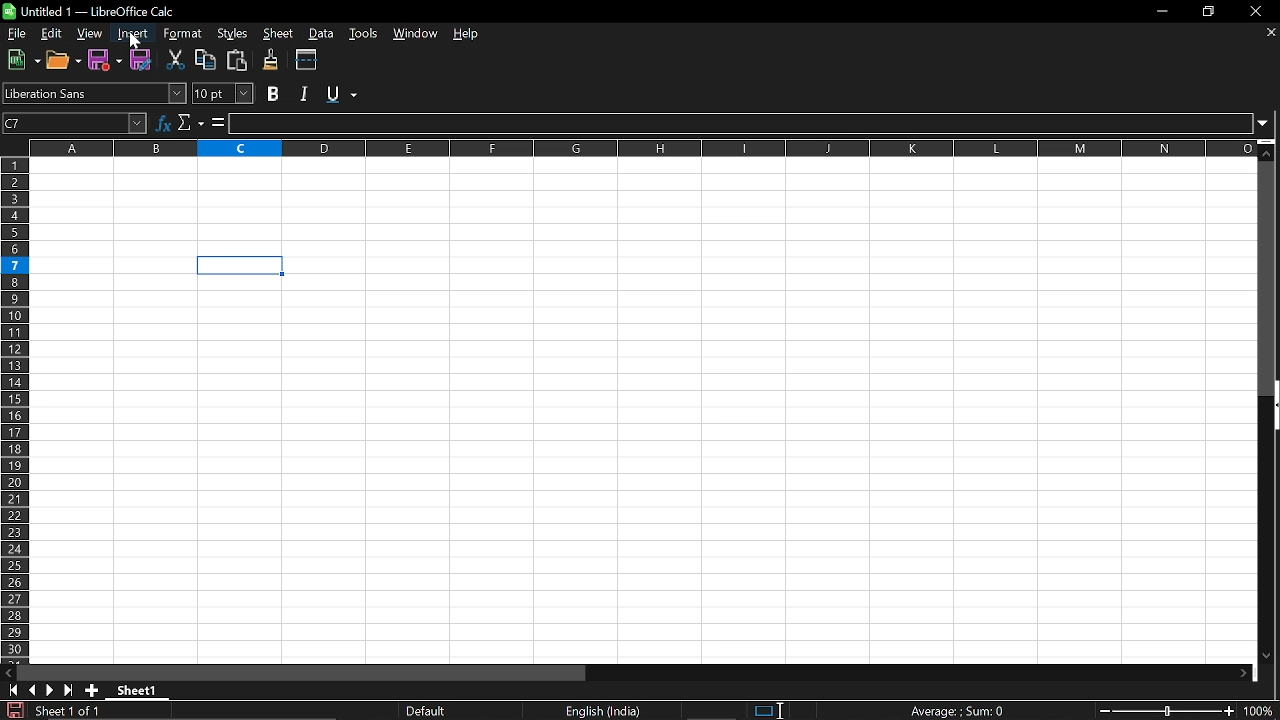  What do you see at coordinates (130, 34) in the screenshot?
I see `Insert` at bounding box center [130, 34].